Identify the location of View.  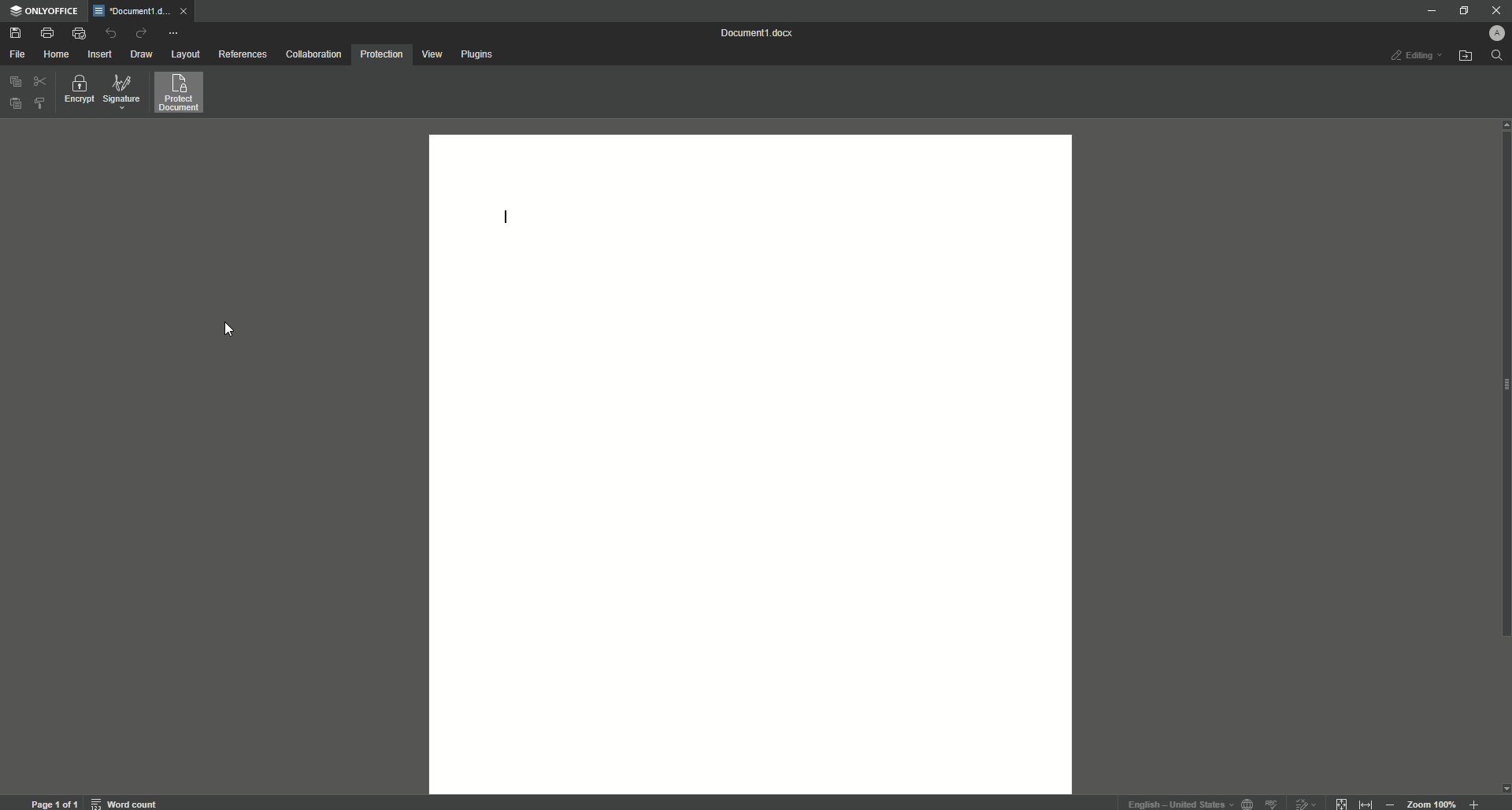
(431, 54).